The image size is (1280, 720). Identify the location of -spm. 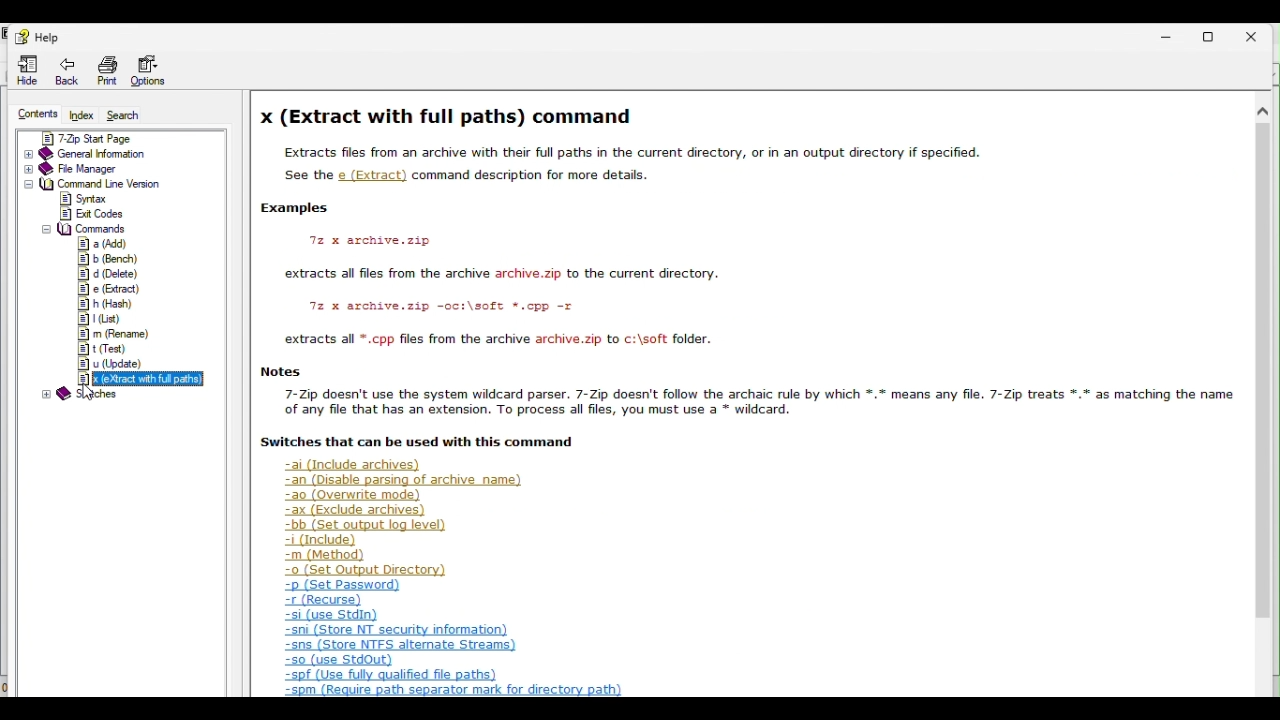
(454, 691).